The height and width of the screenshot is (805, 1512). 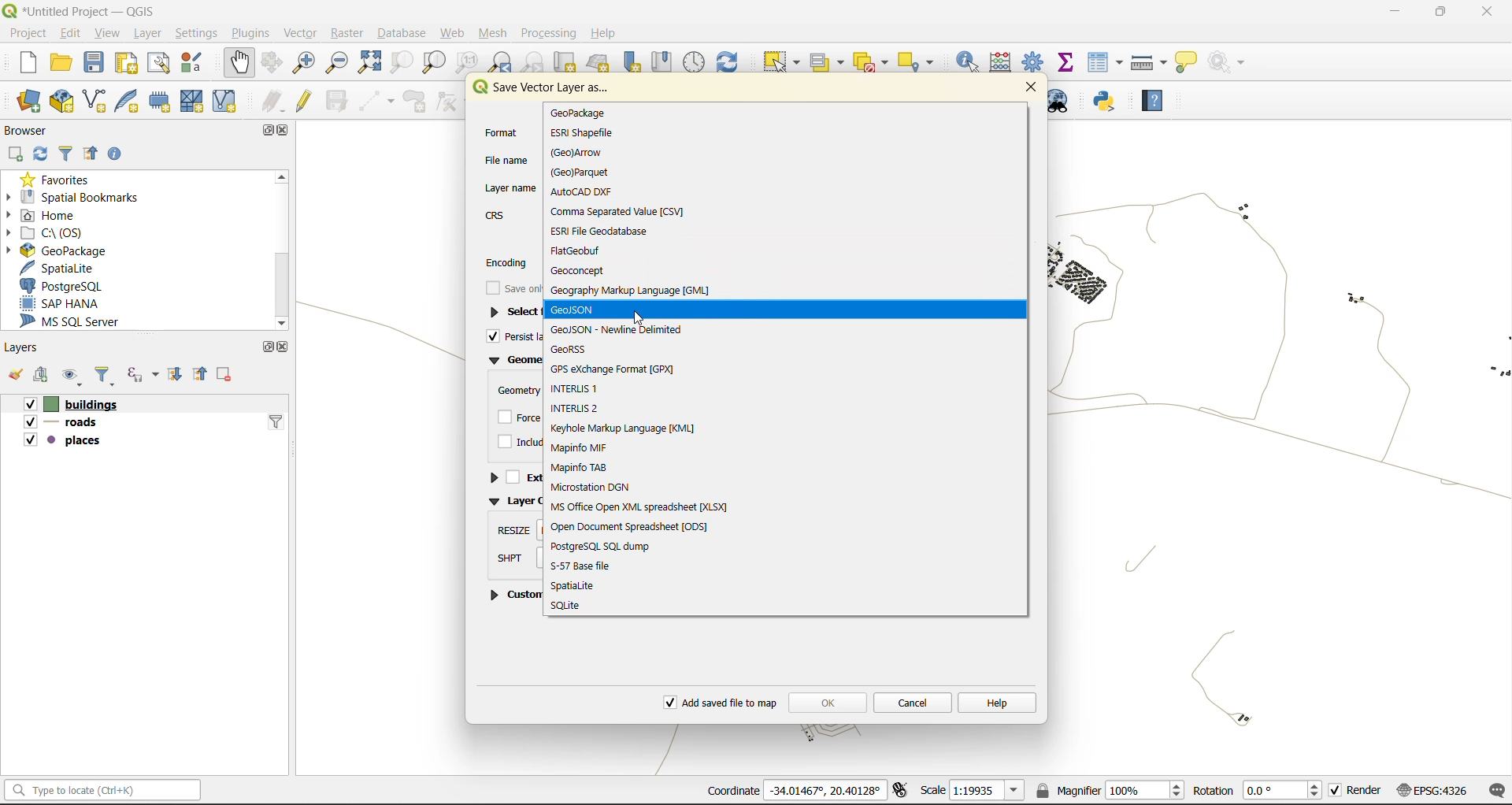 I want to click on filter, so click(x=108, y=376).